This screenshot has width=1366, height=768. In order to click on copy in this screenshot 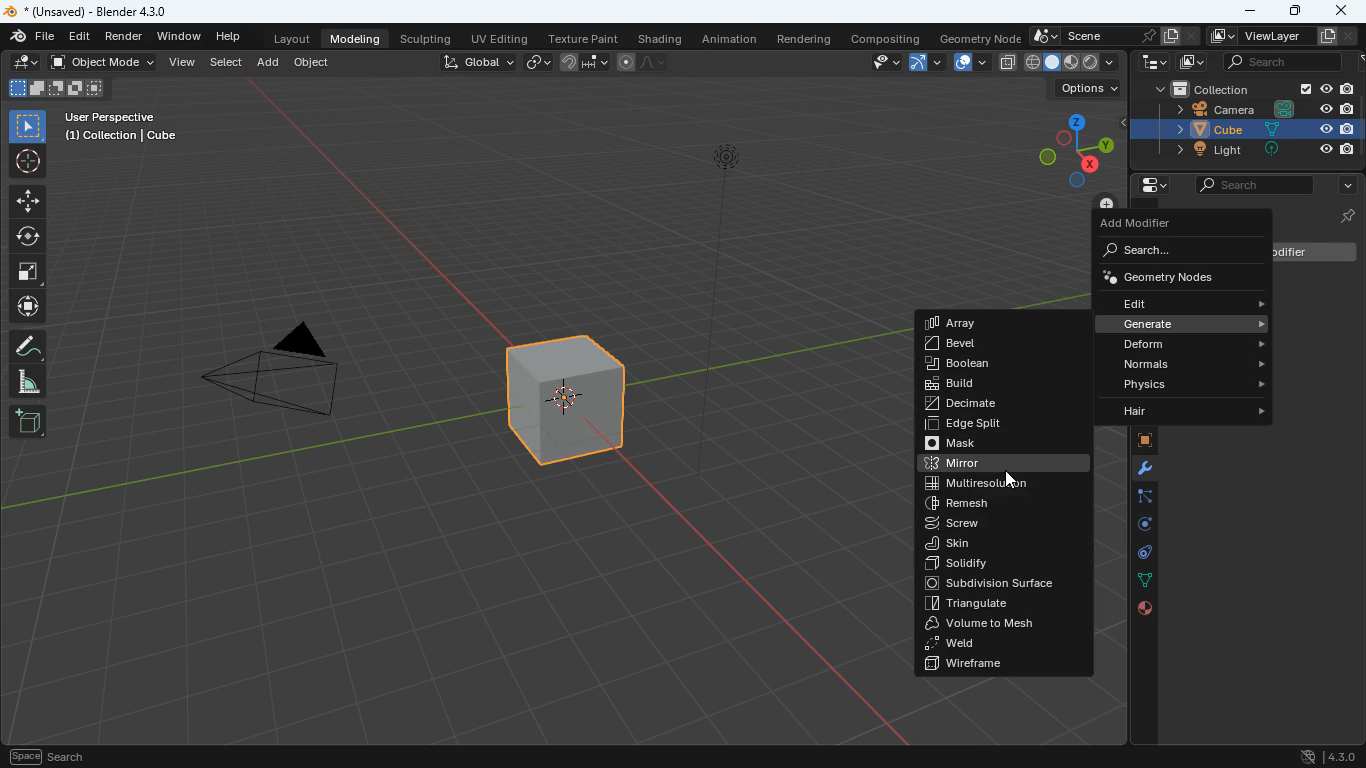, I will do `click(1006, 61)`.